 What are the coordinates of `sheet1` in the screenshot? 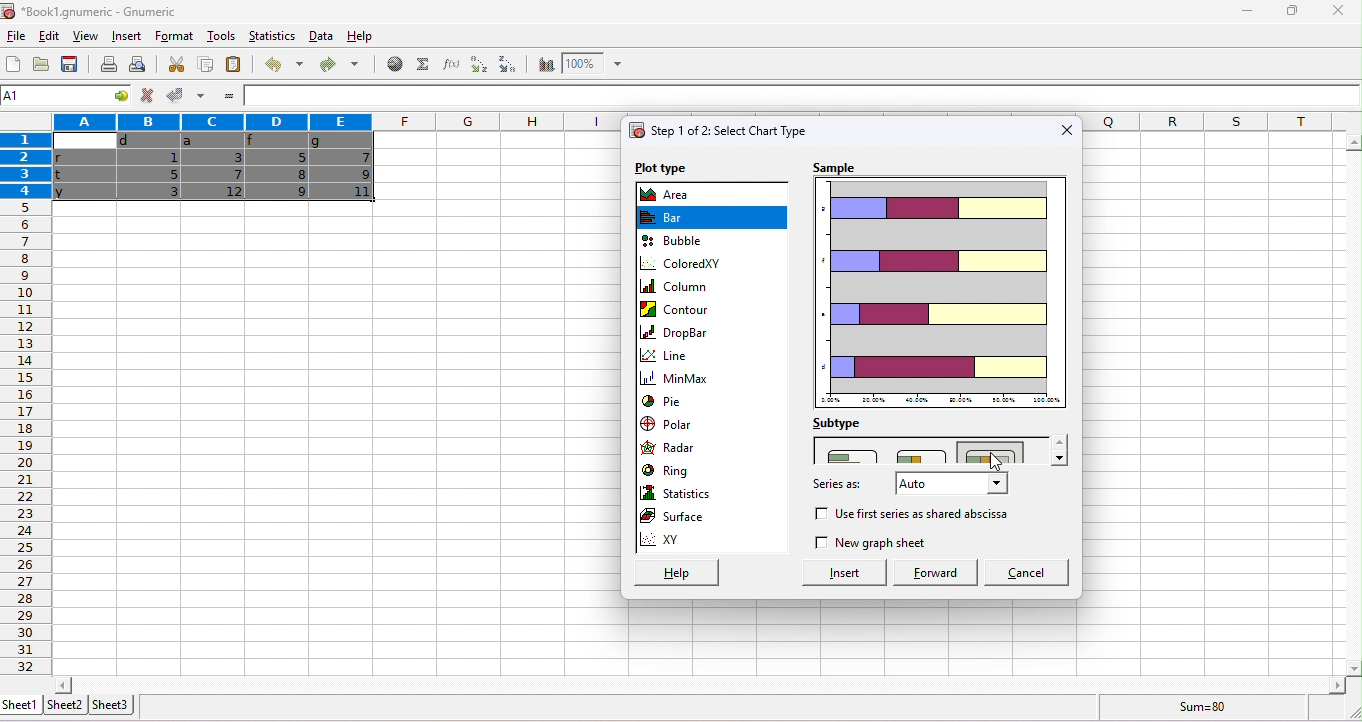 It's located at (20, 704).